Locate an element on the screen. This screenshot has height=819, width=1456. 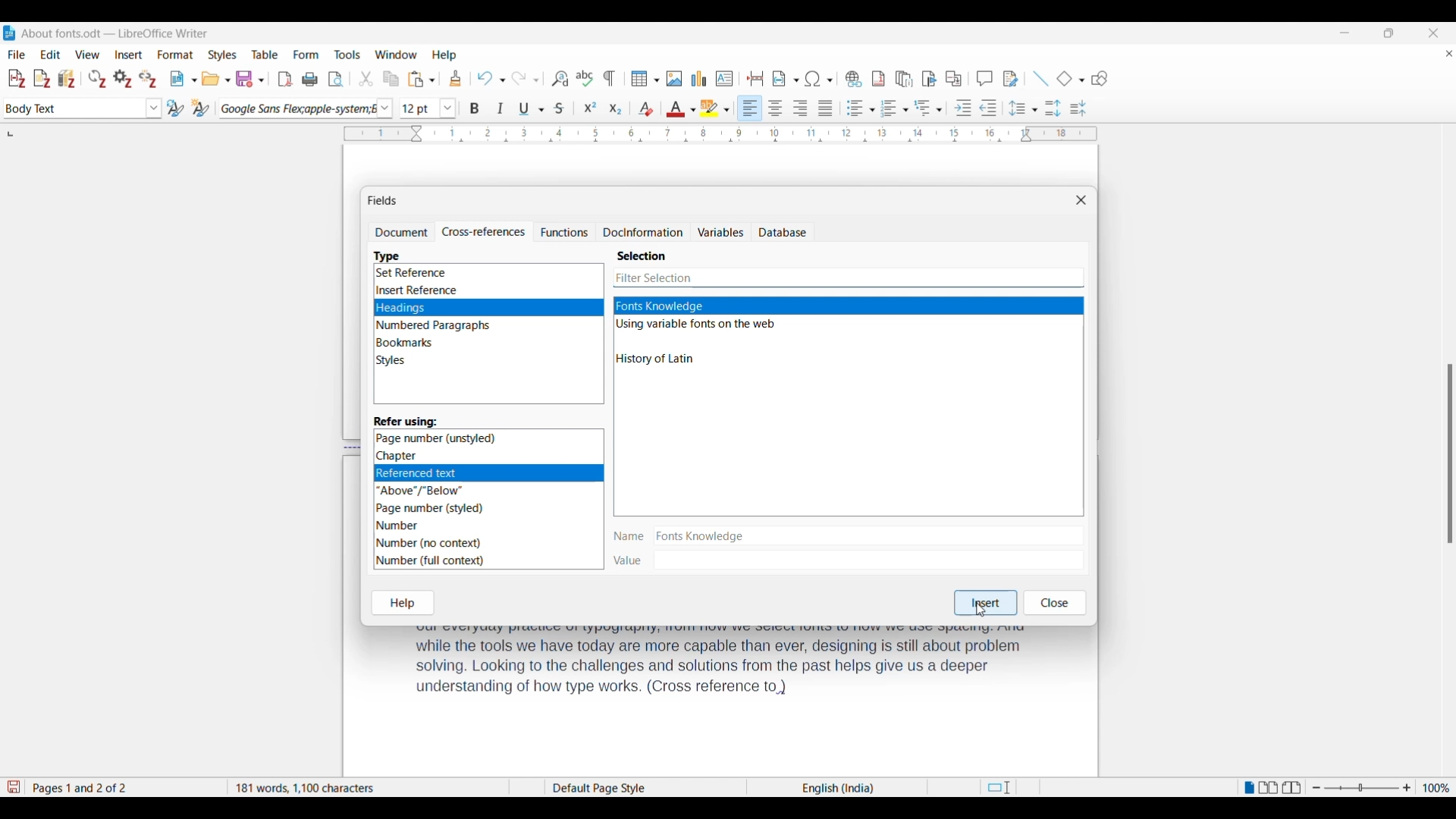
Input font is located at coordinates (419, 108).